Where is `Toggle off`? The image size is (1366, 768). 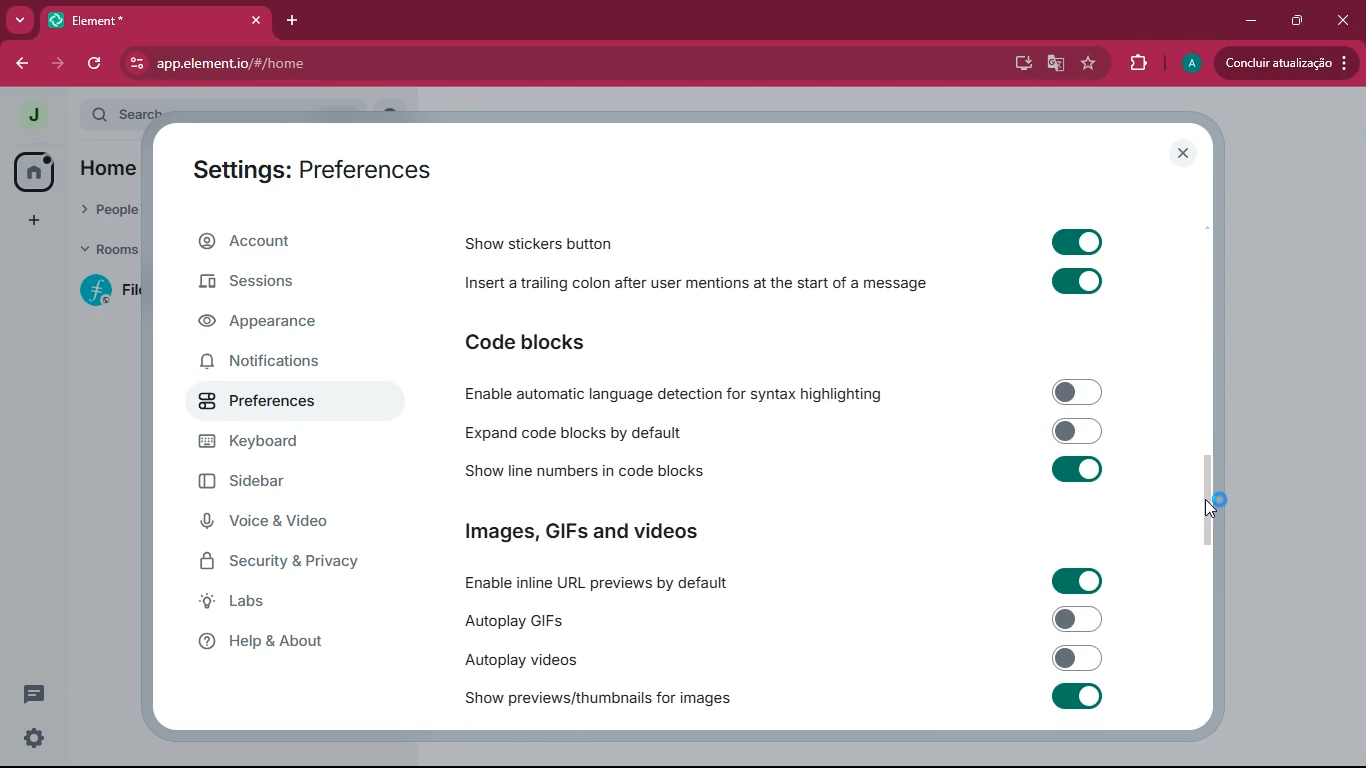
Toggle off is located at coordinates (1078, 430).